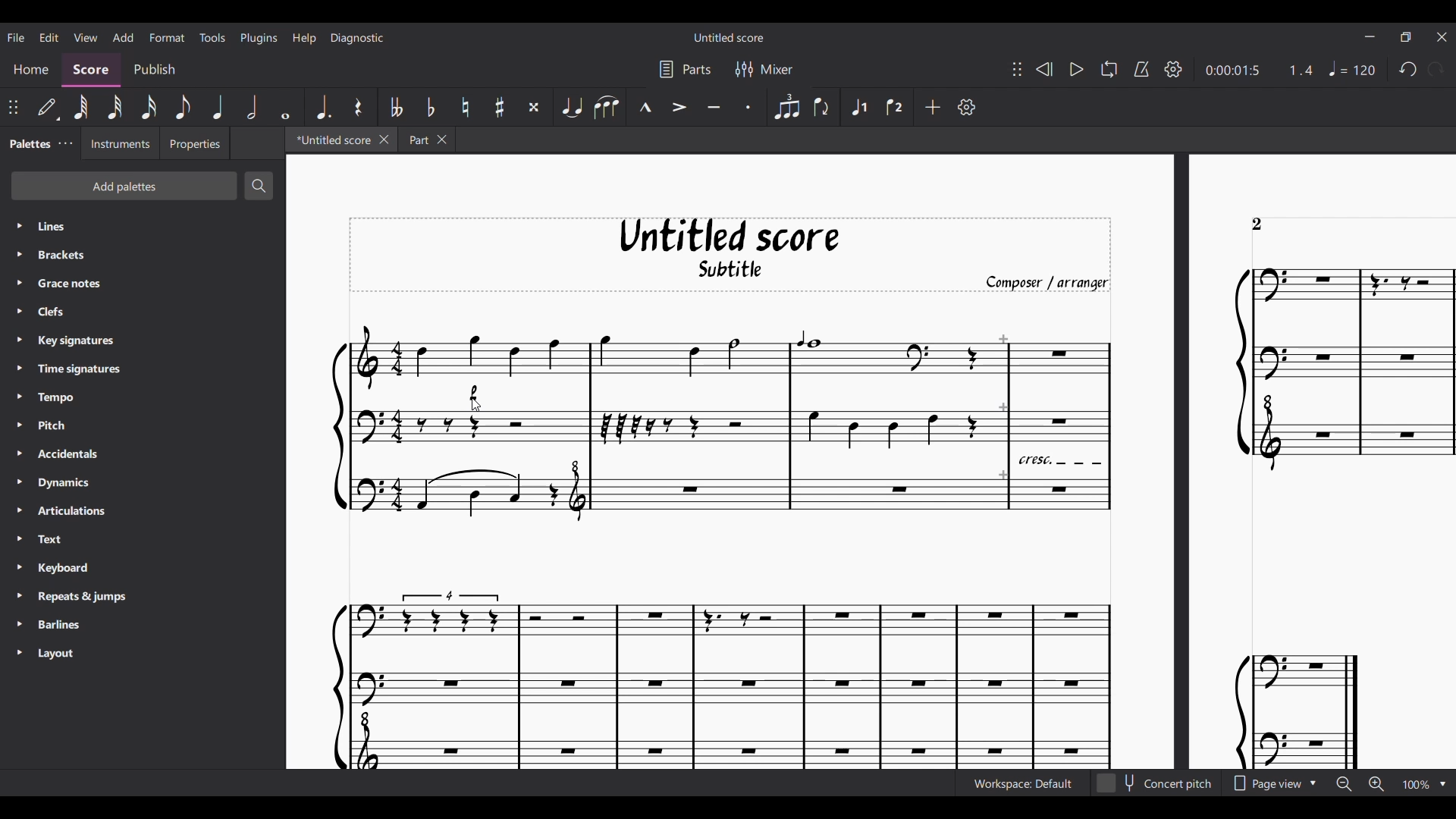  I want to click on Palette list, so click(157, 441).